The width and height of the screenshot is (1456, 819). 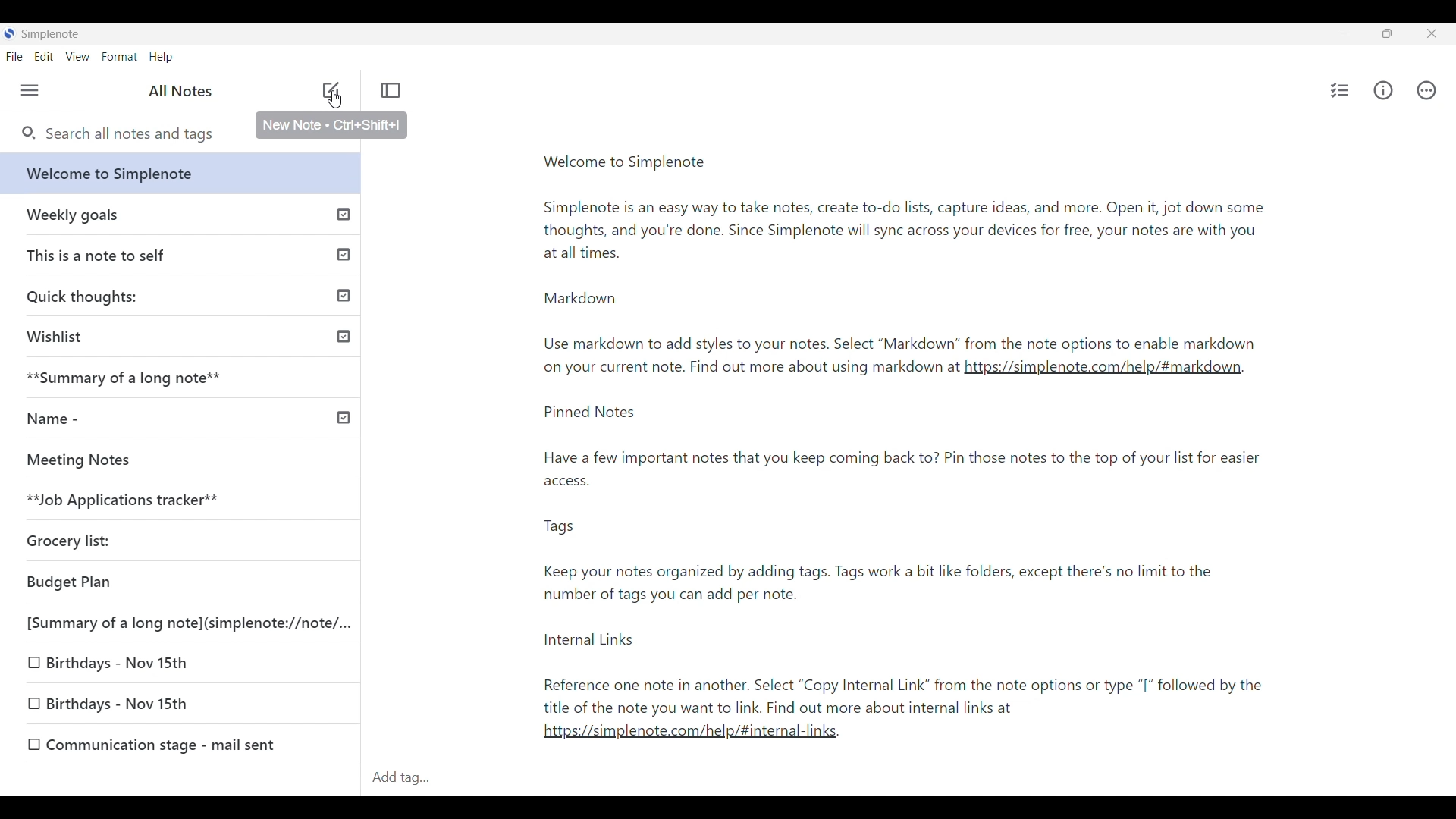 What do you see at coordinates (910, 779) in the screenshot?
I see `Click to type in tags` at bounding box center [910, 779].